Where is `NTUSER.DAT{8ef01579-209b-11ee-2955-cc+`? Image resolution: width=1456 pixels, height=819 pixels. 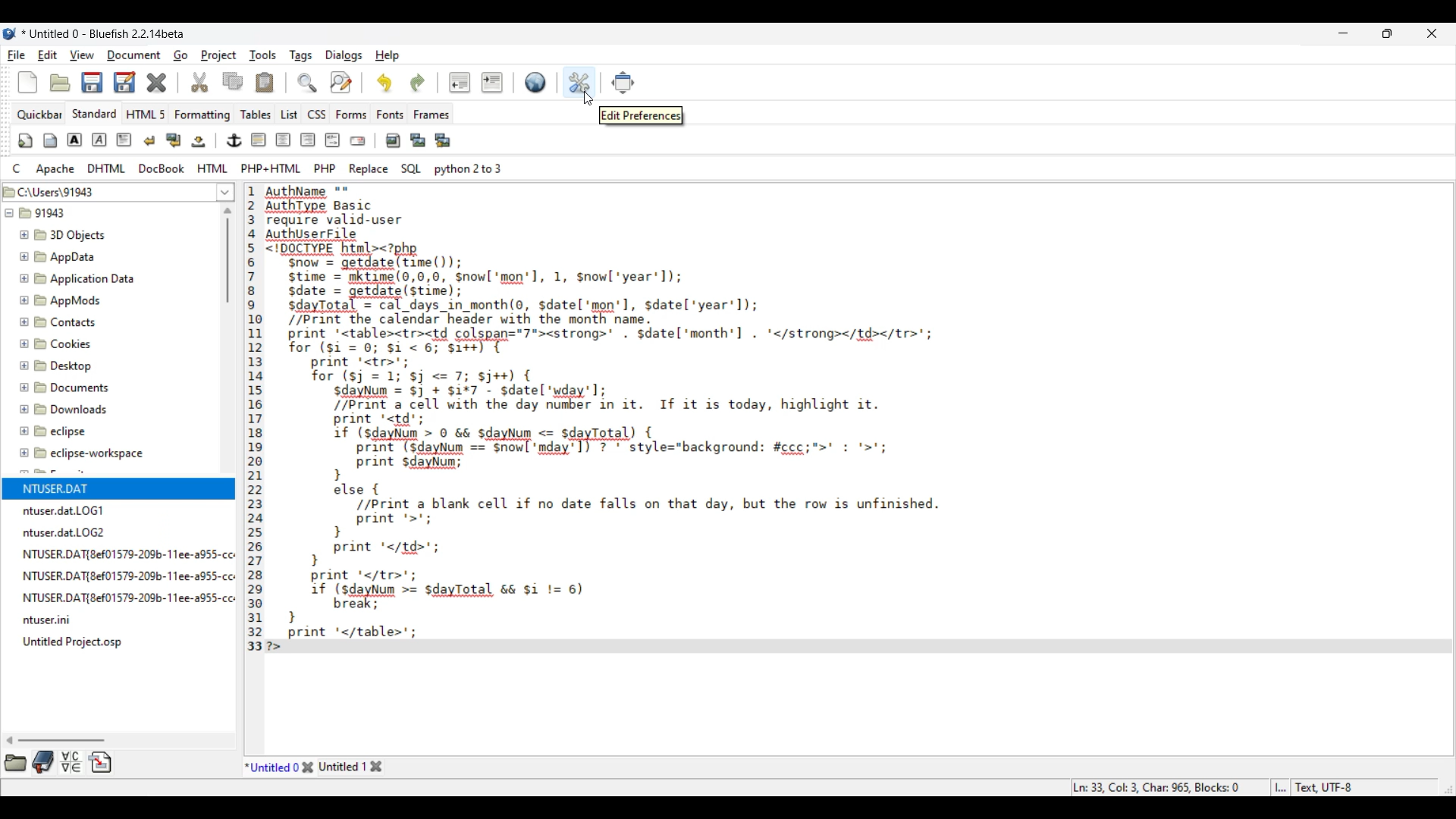
NTUSER.DAT{8ef01579-209b-11ee-2955-cc+ is located at coordinates (129, 551).